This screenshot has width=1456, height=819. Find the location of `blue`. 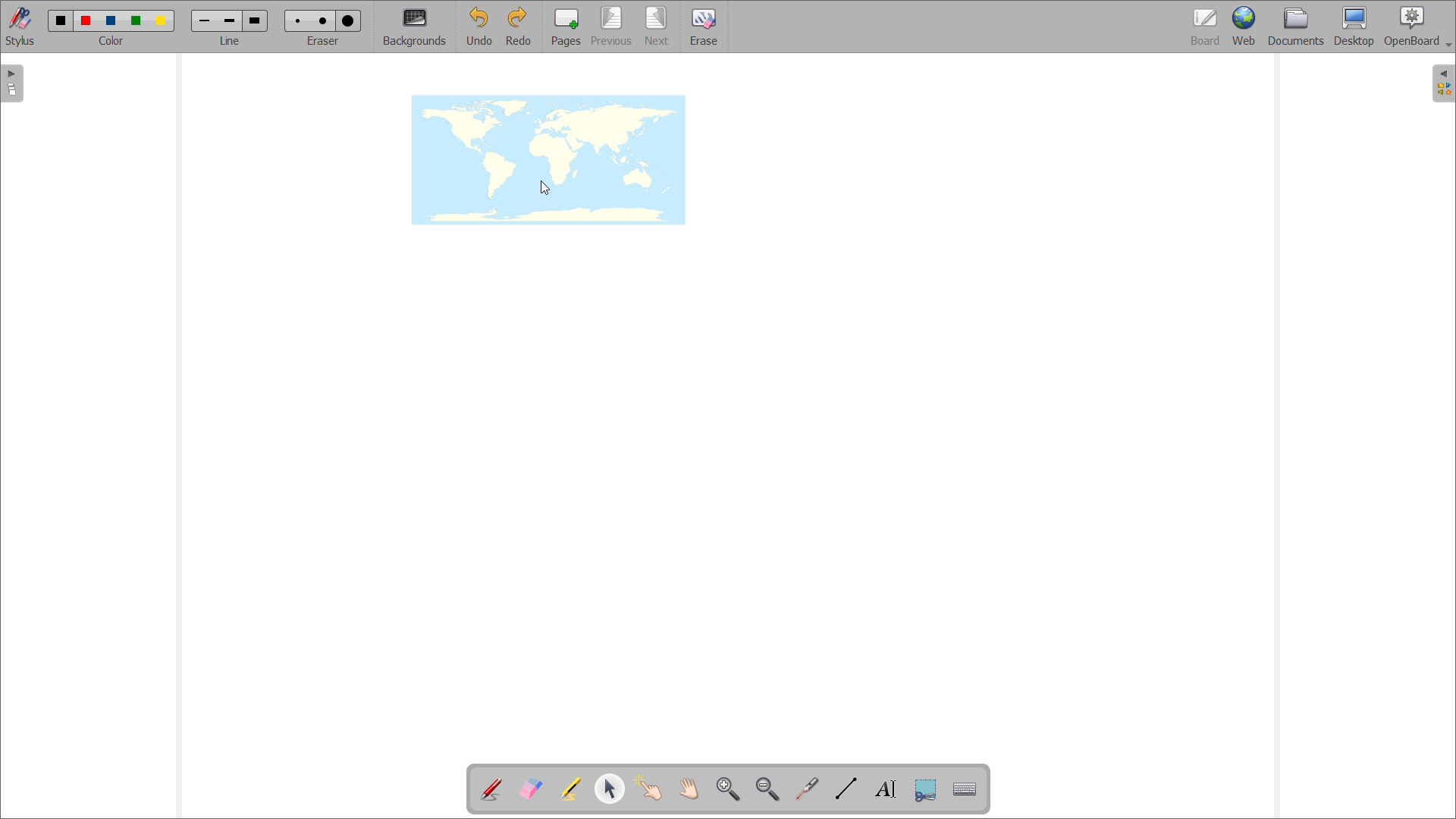

blue is located at coordinates (112, 20).